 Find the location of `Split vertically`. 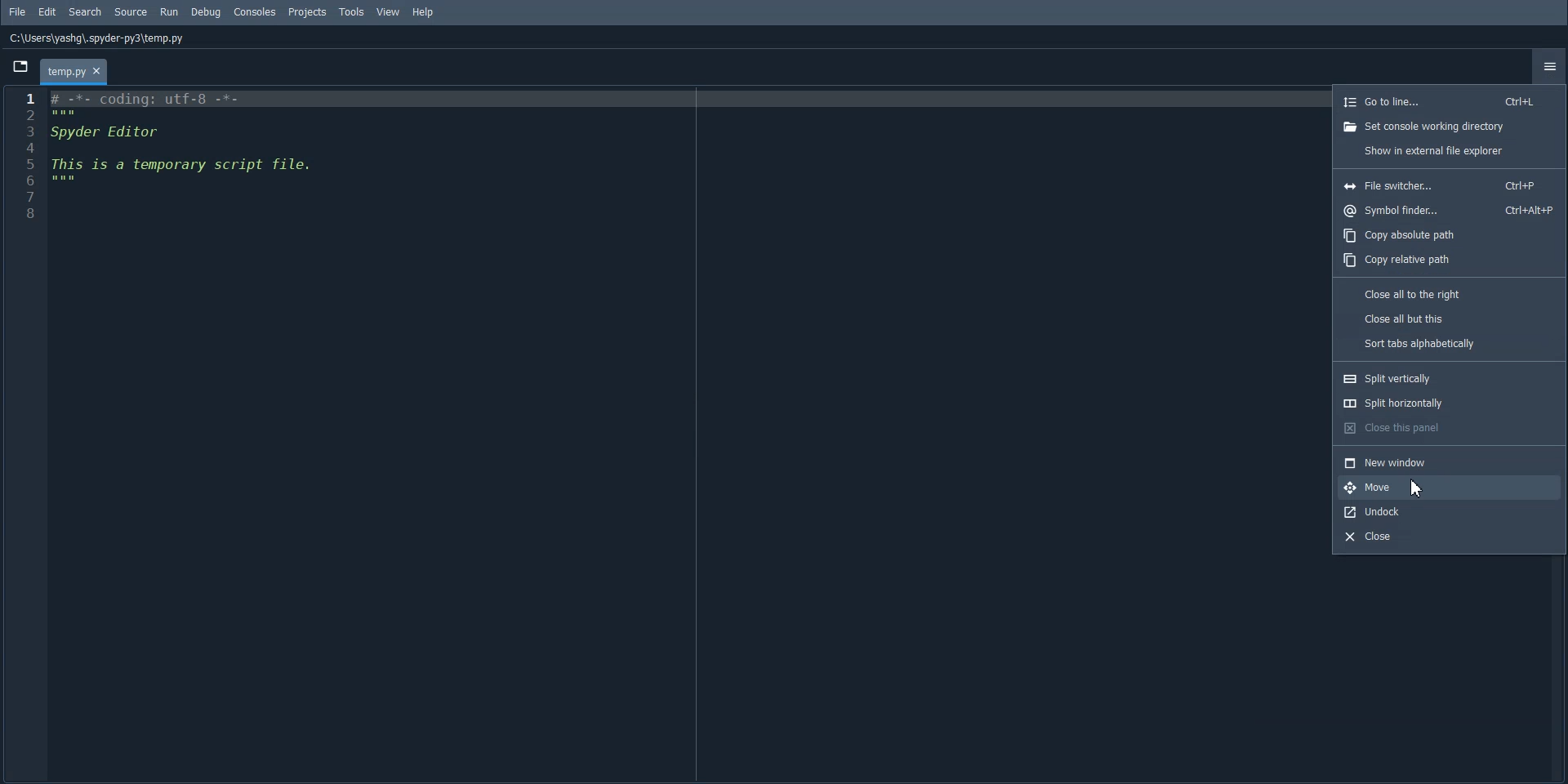

Split vertically is located at coordinates (1448, 378).